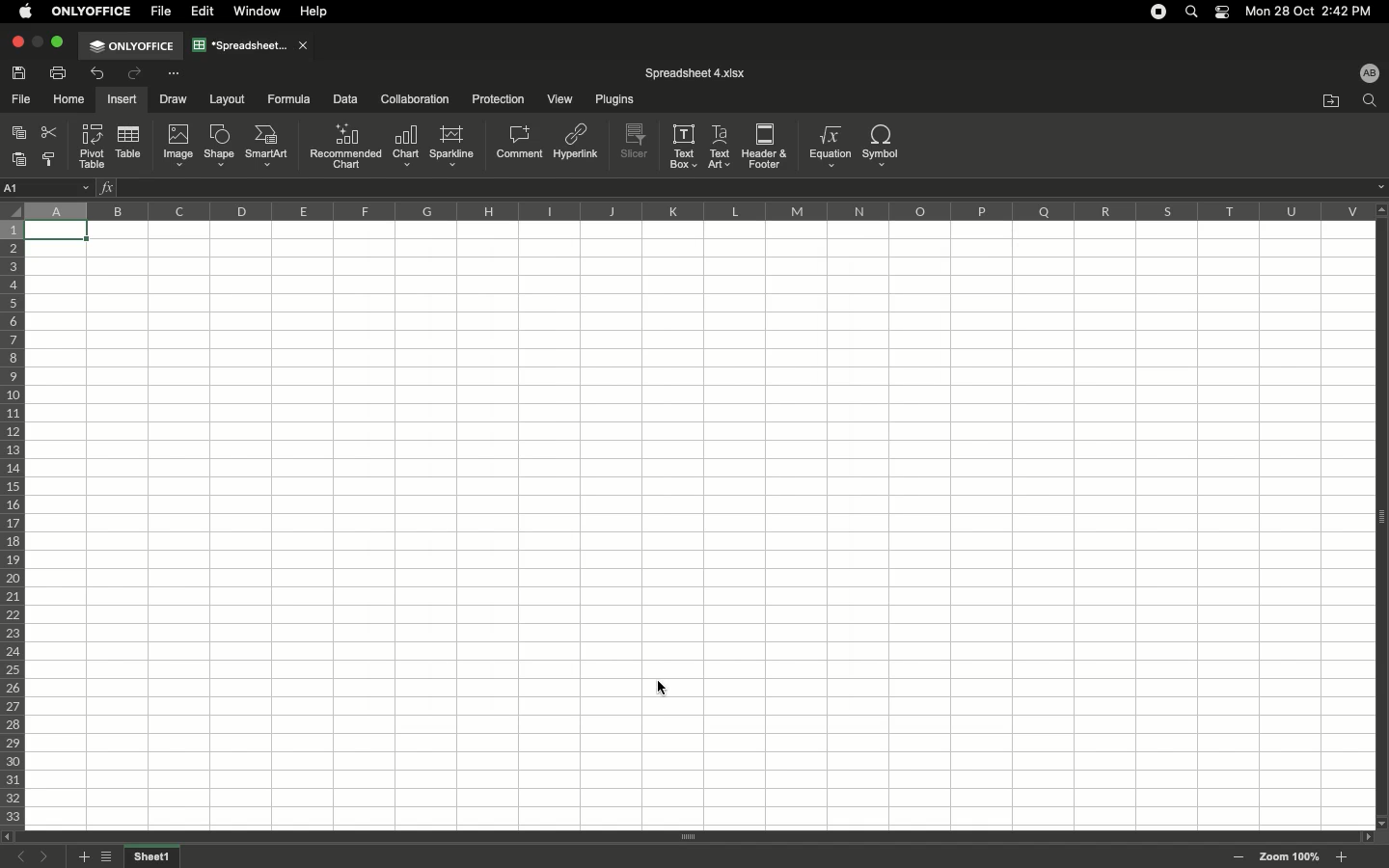  I want to click on Recording, so click(1158, 12).